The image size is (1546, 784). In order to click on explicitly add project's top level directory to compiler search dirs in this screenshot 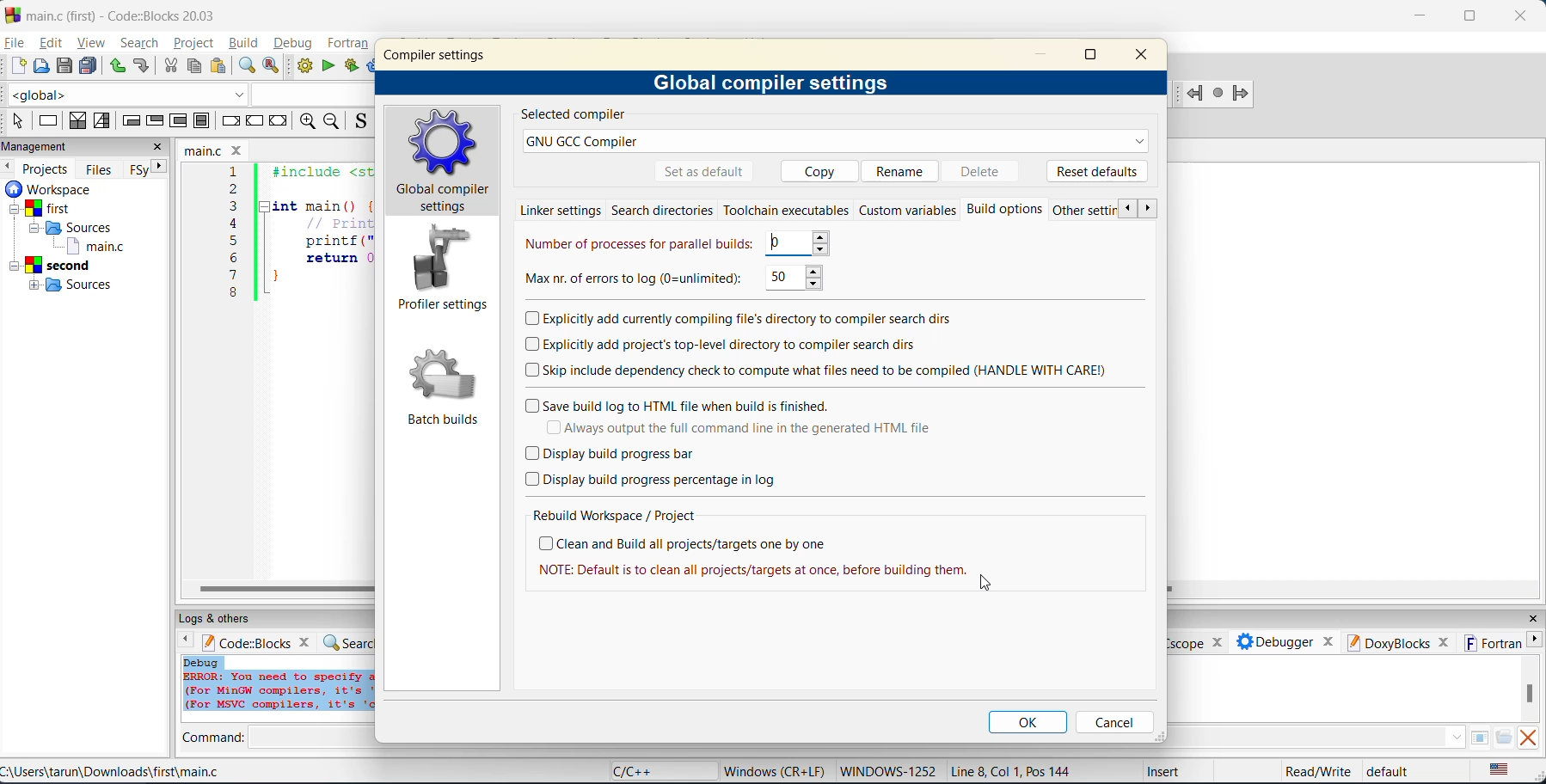, I will do `click(745, 346)`.